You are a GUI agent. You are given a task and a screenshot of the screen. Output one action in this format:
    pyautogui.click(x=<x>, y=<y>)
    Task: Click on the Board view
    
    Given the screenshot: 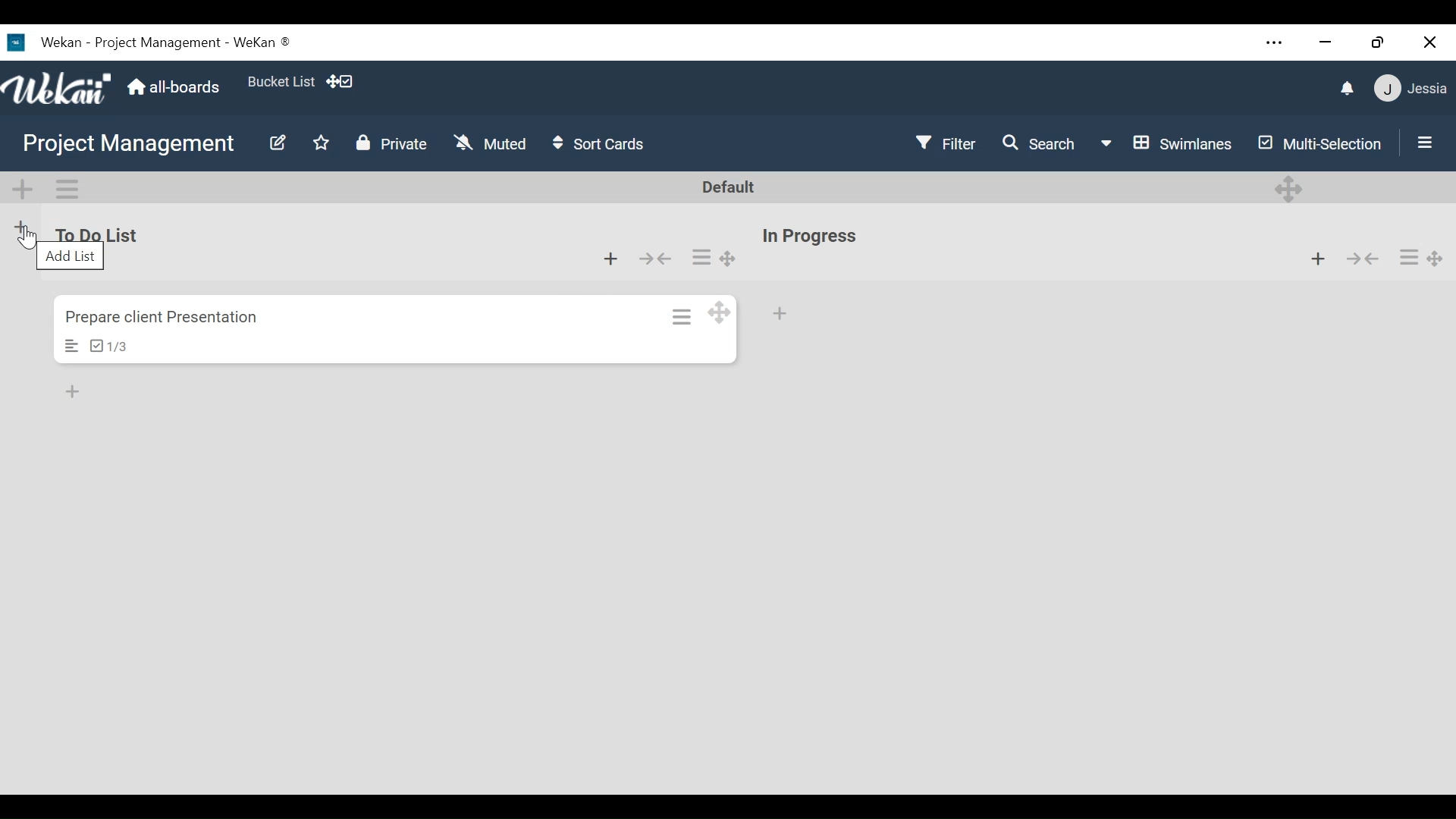 What is the action you would take?
    pyautogui.click(x=1163, y=144)
    